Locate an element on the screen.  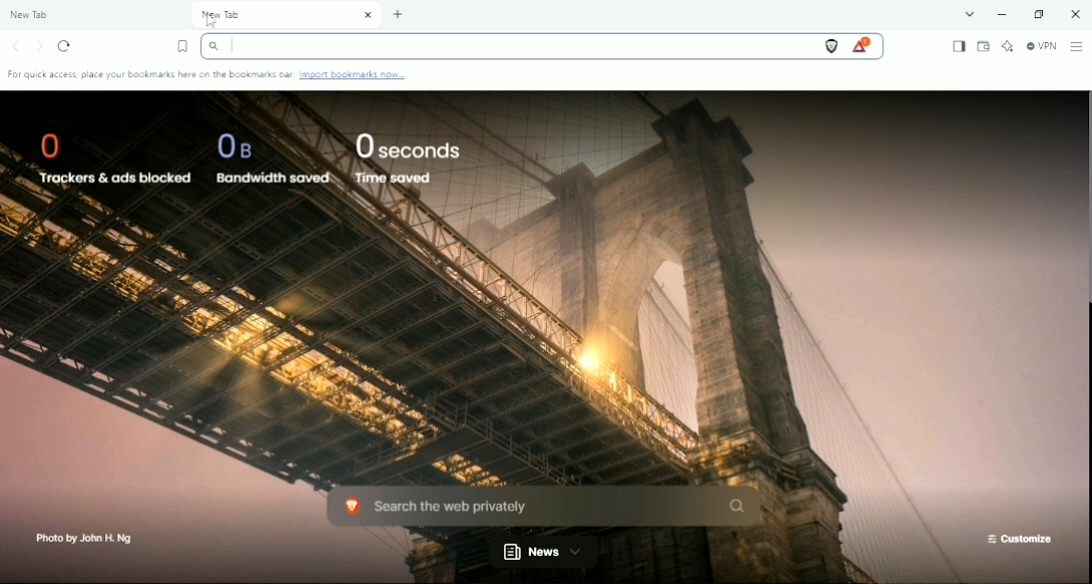
Leo AI is located at coordinates (1007, 46).